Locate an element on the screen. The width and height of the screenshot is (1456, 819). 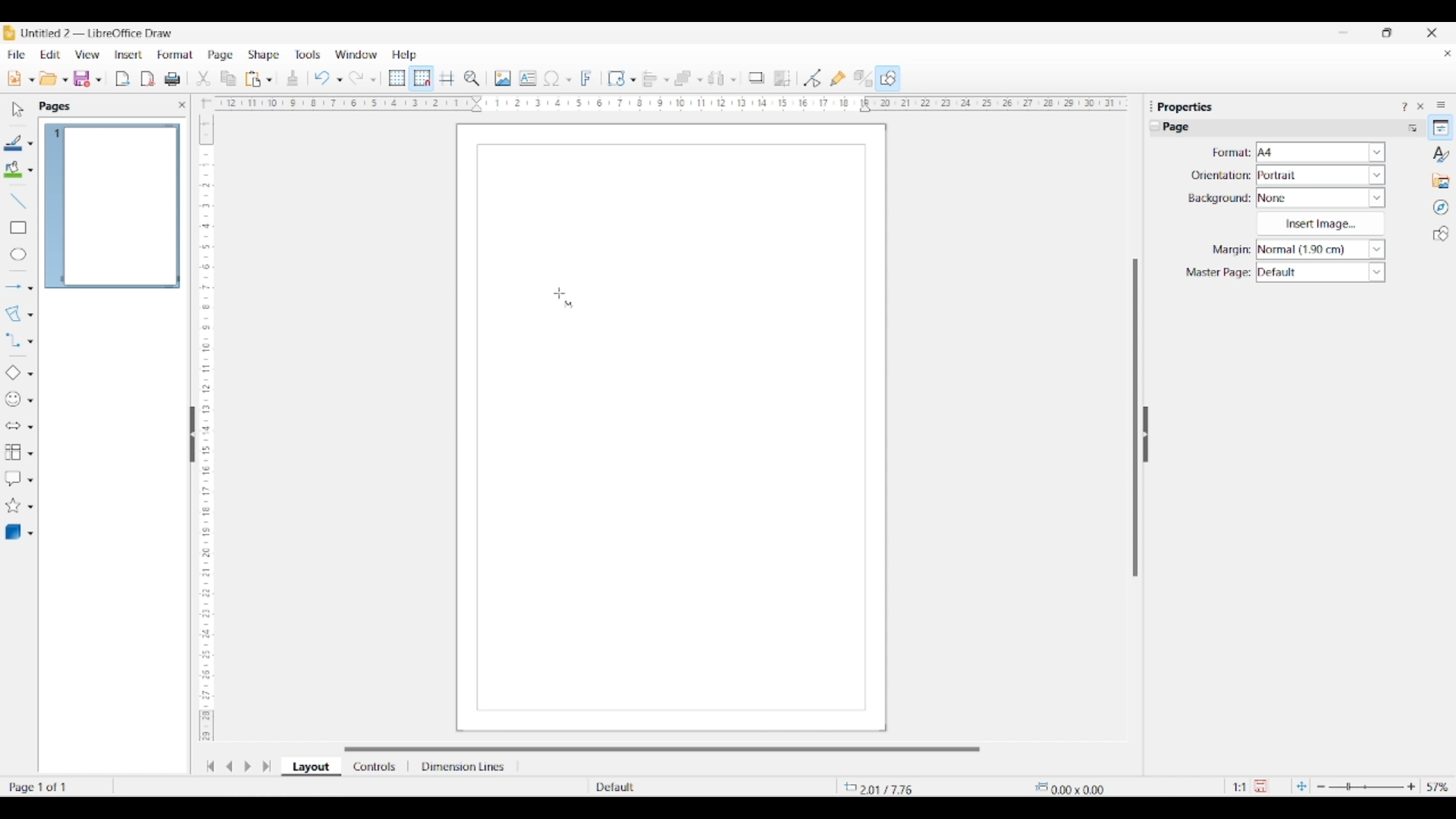
Layout selected is located at coordinates (311, 767).